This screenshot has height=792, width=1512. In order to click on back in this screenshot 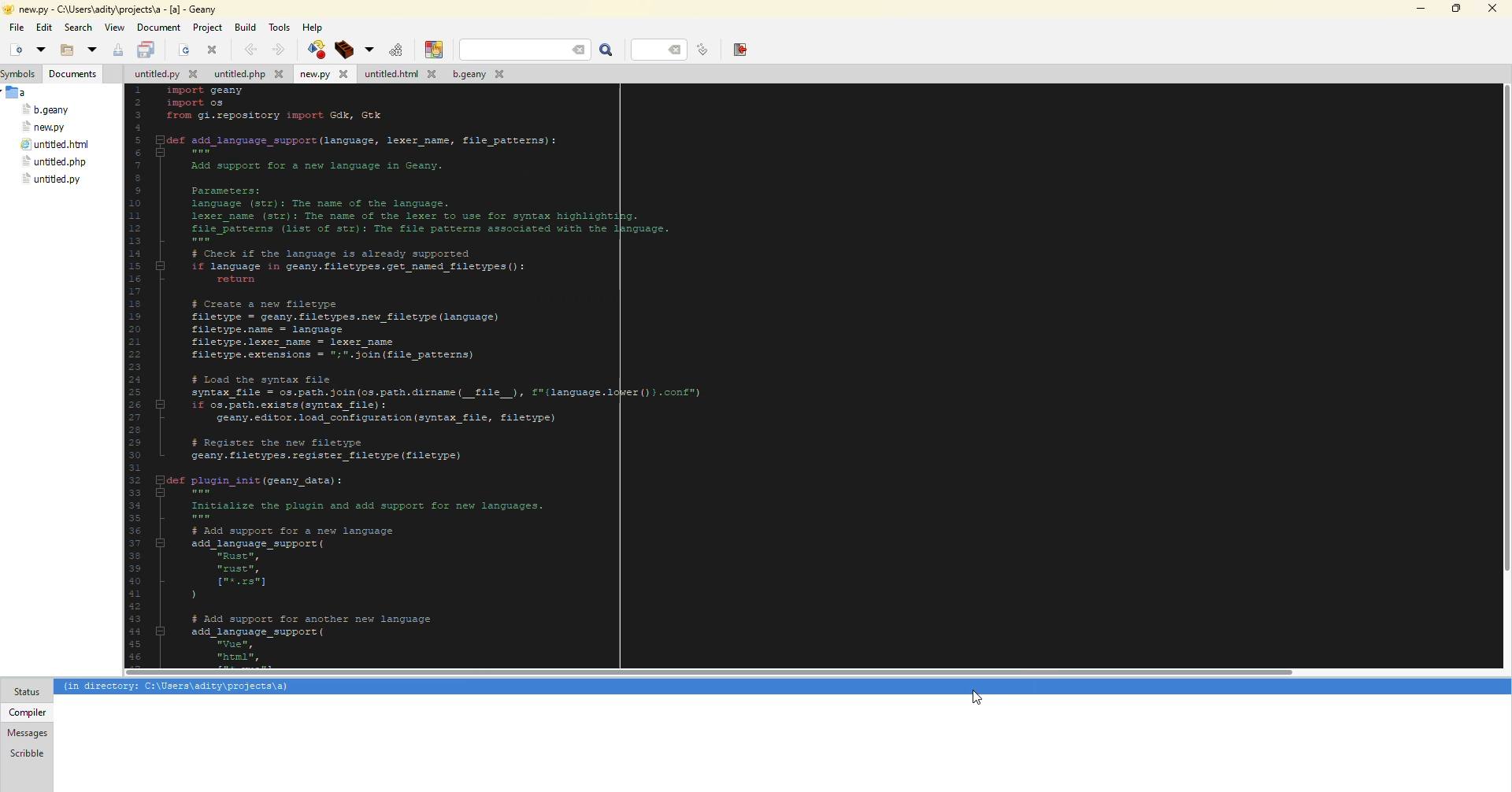, I will do `click(249, 49)`.